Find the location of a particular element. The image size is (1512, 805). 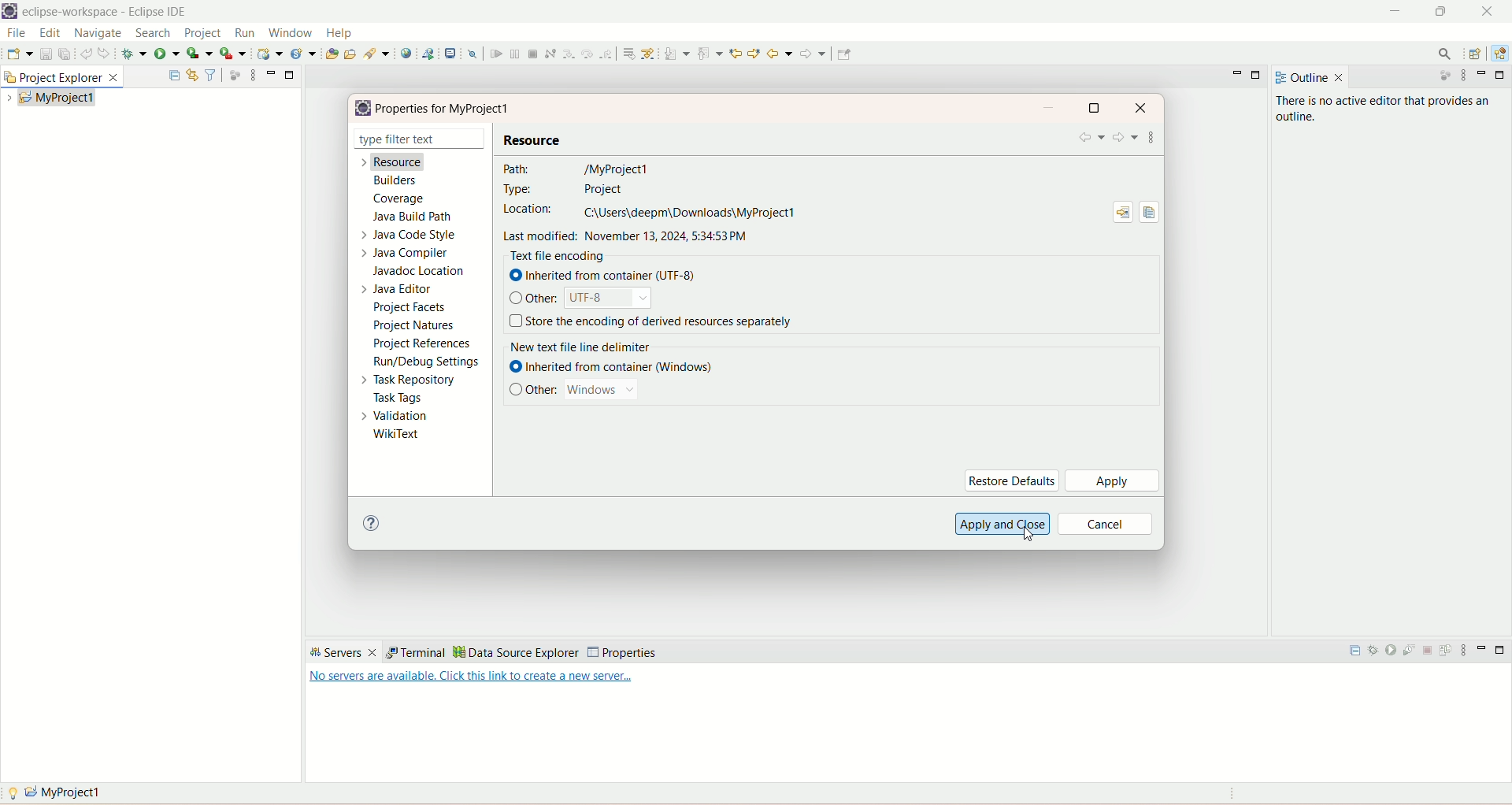

search is located at coordinates (379, 54).